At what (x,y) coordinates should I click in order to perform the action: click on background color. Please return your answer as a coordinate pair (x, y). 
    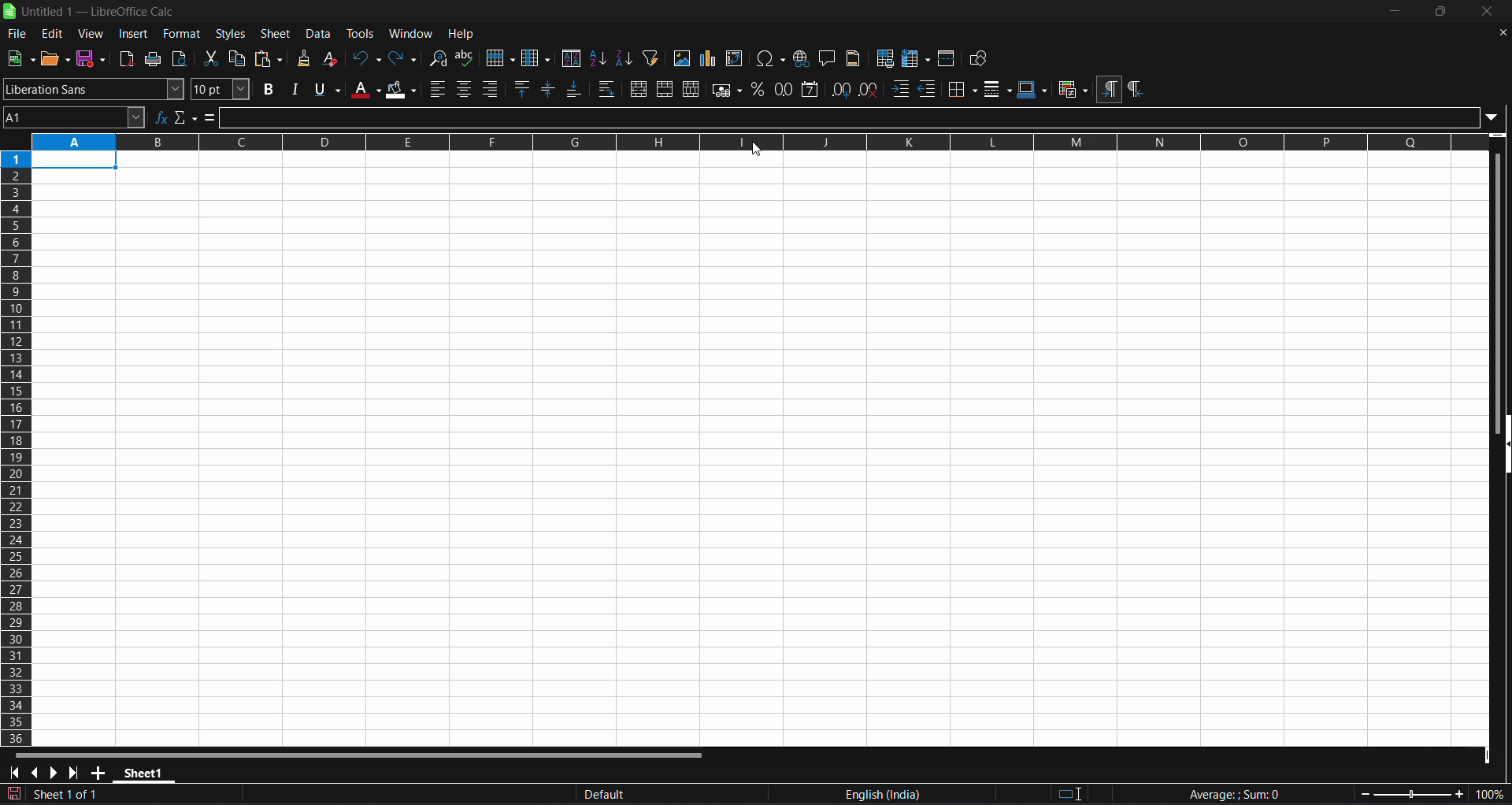
    Looking at the image, I should click on (402, 91).